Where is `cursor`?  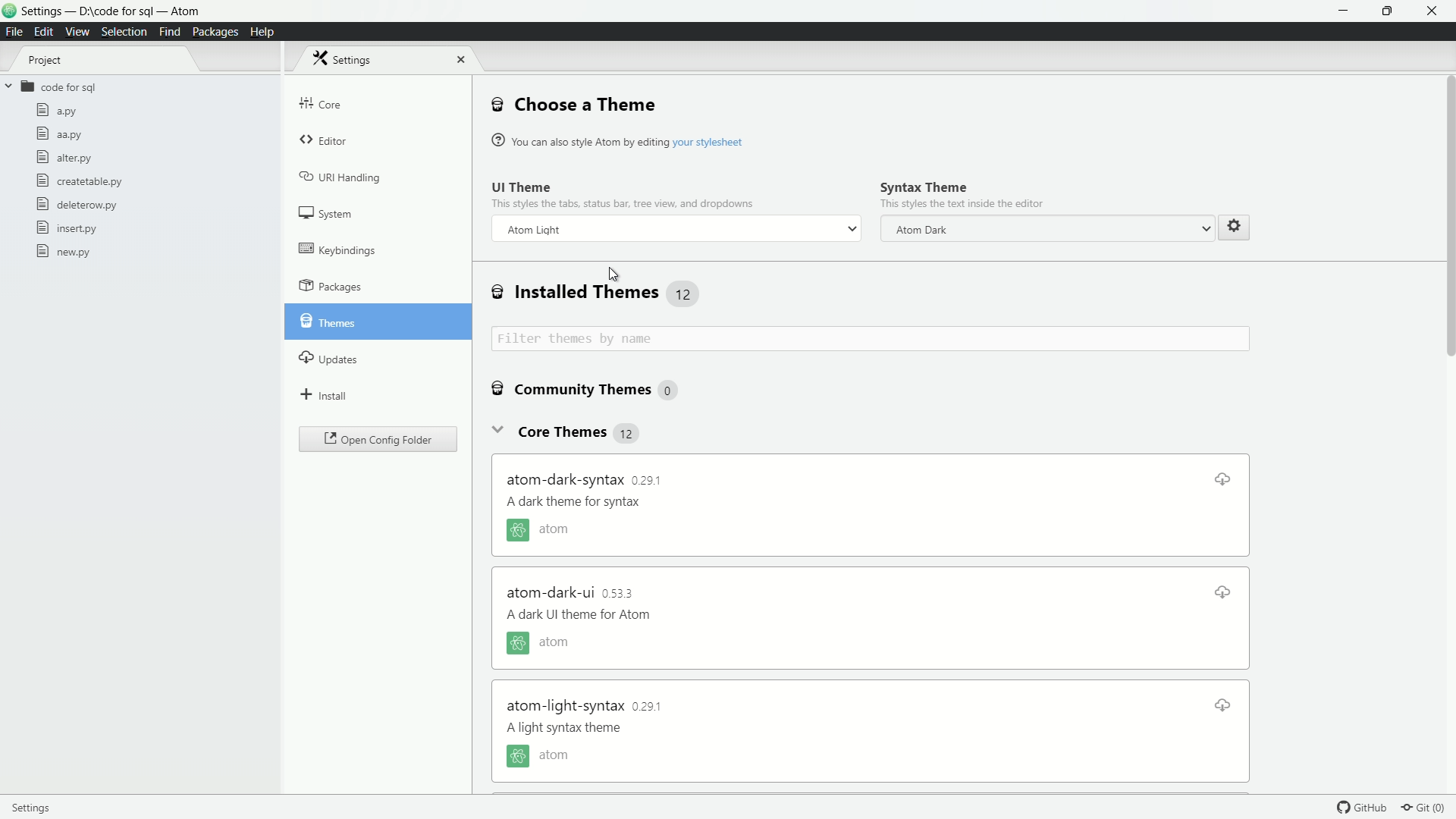 cursor is located at coordinates (613, 240).